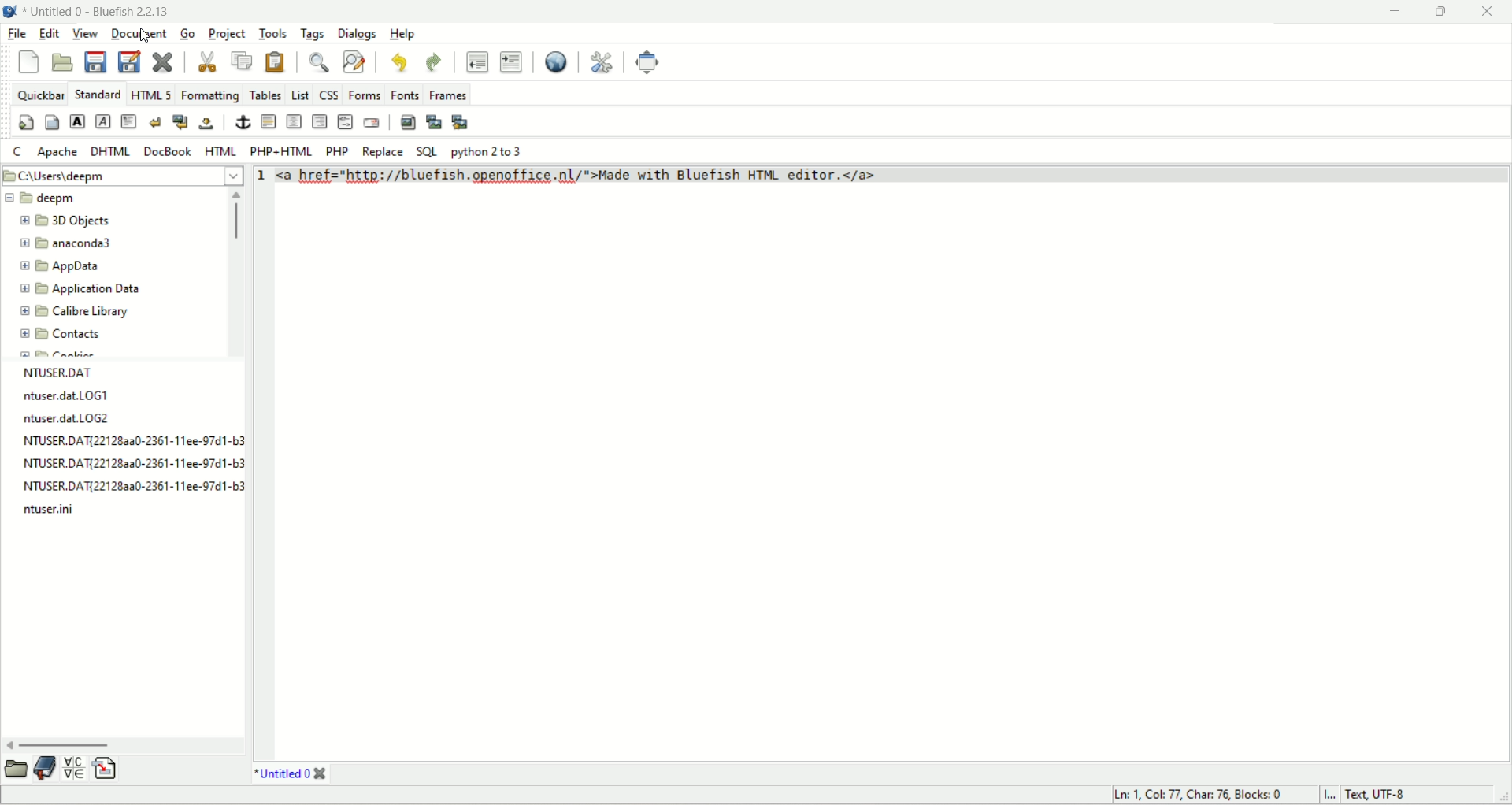 The width and height of the screenshot is (1512, 805). I want to click on ln, col, char, blocks, so click(1193, 796).